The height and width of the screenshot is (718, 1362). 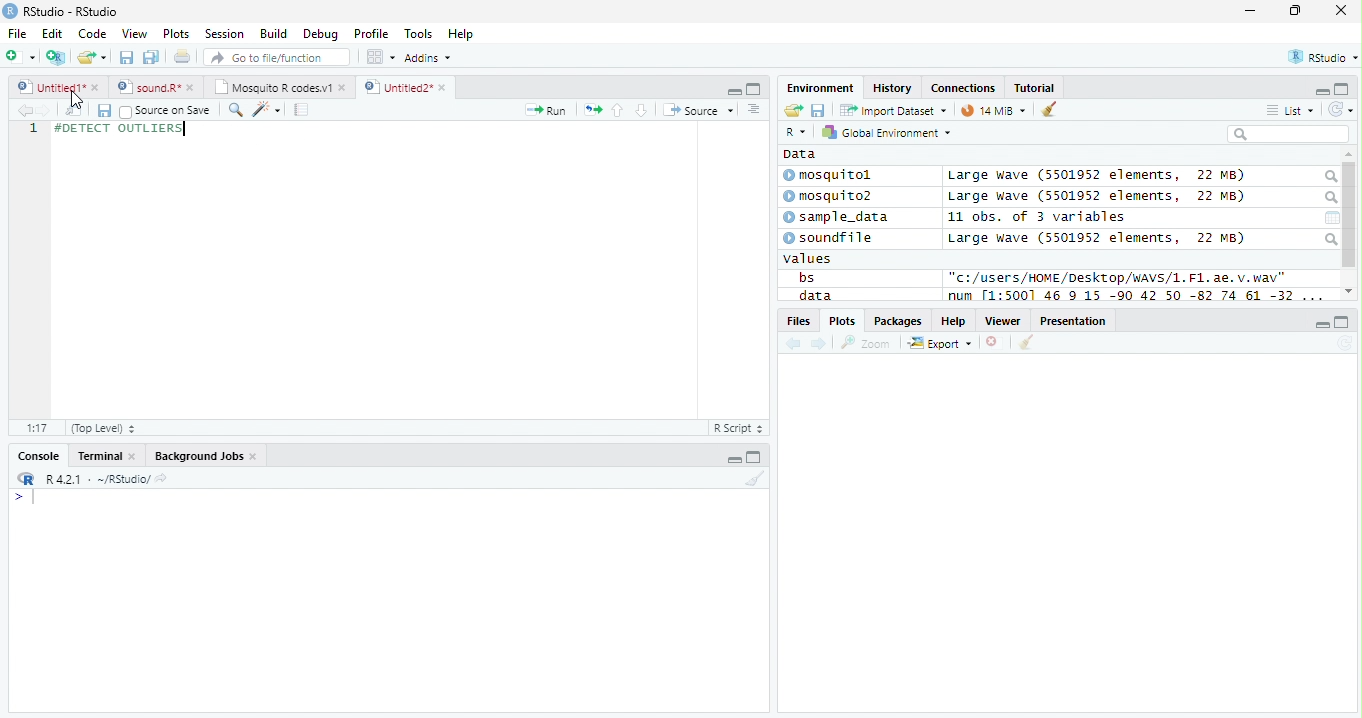 What do you see at coordinates (808, 259) in the screenshot?
I see `values` at bounding box center [808, 259].